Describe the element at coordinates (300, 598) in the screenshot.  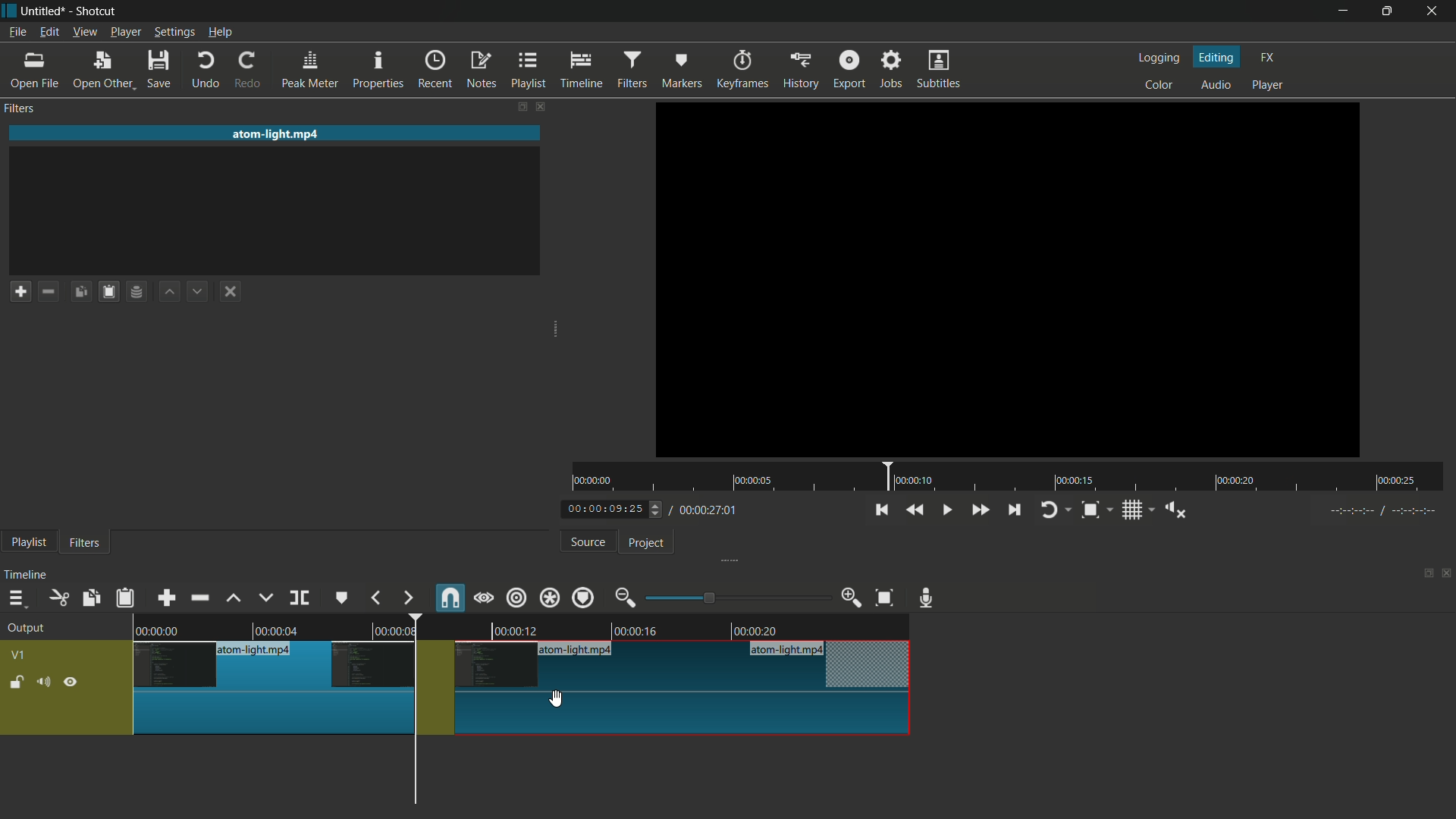
I see `split at playhead` at that location.